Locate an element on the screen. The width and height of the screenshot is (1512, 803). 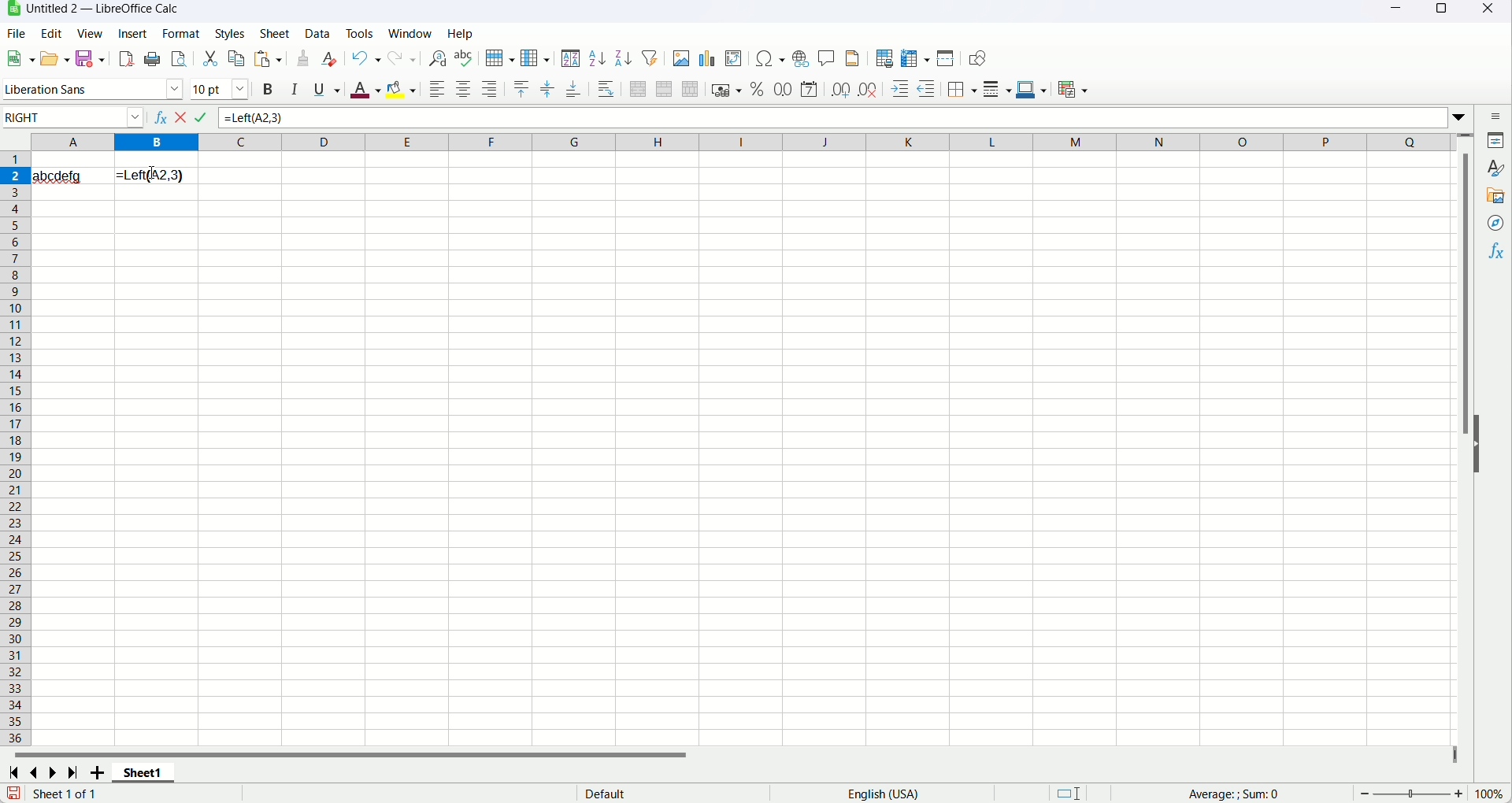
add sheets is located at coordinates (95, 771).